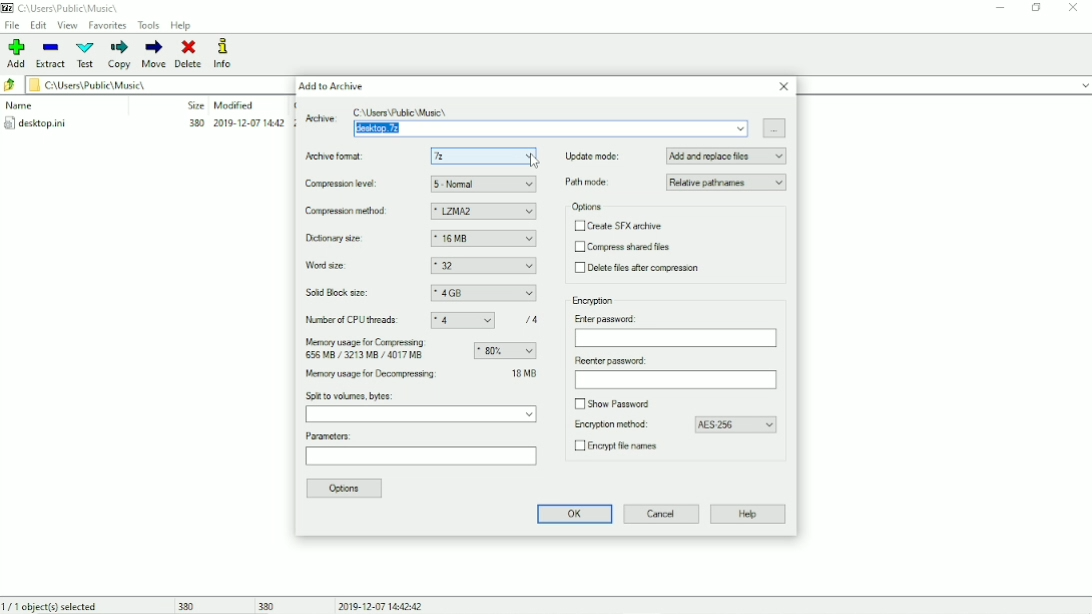  What do you see at coordinates (51, 56) in the screenshot?
I see `Extract` at bounding box center [51, 56].